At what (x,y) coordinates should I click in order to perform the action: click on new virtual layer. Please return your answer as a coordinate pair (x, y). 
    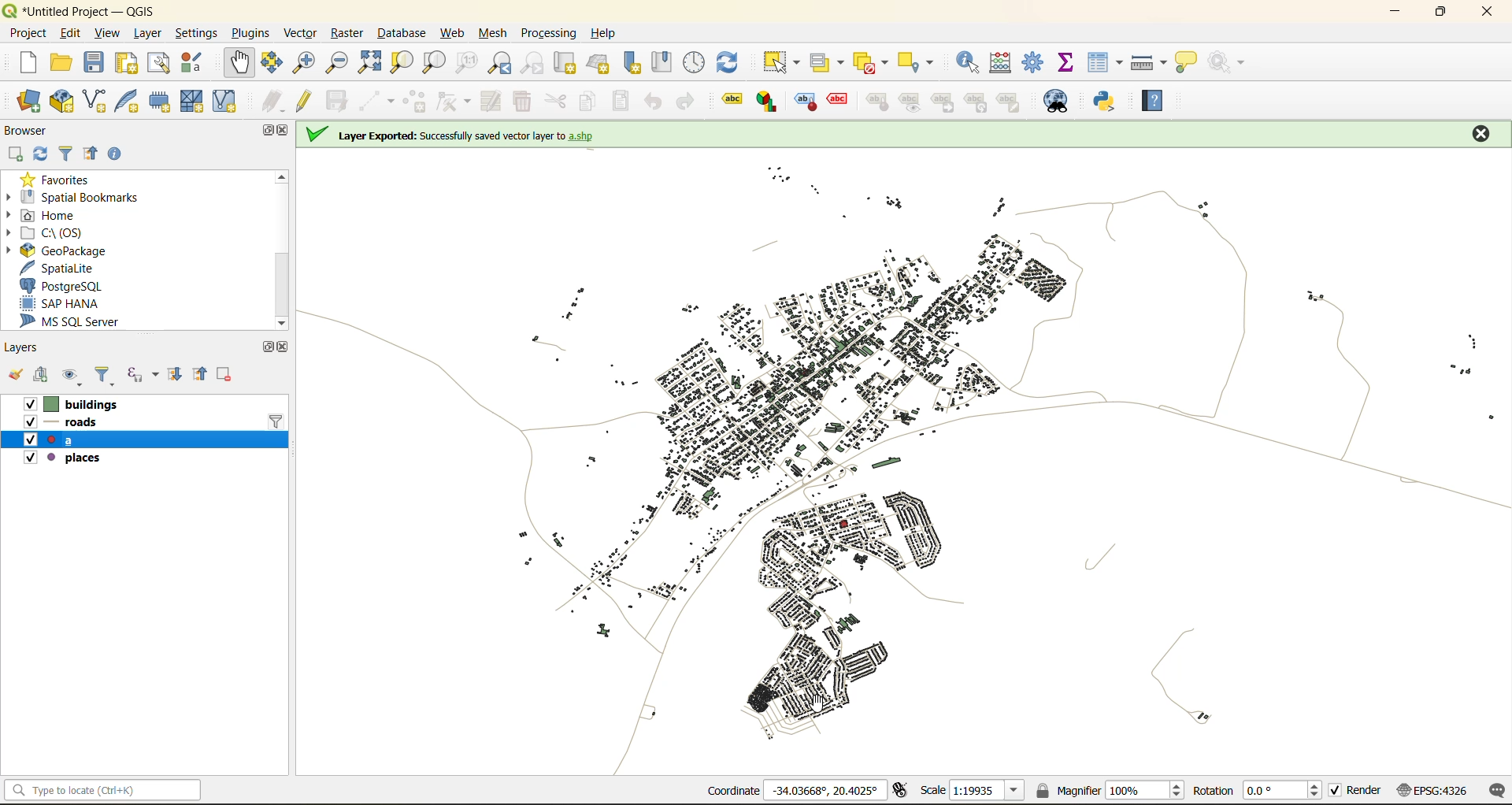
    Looking at the image, I should click on (228, 102).